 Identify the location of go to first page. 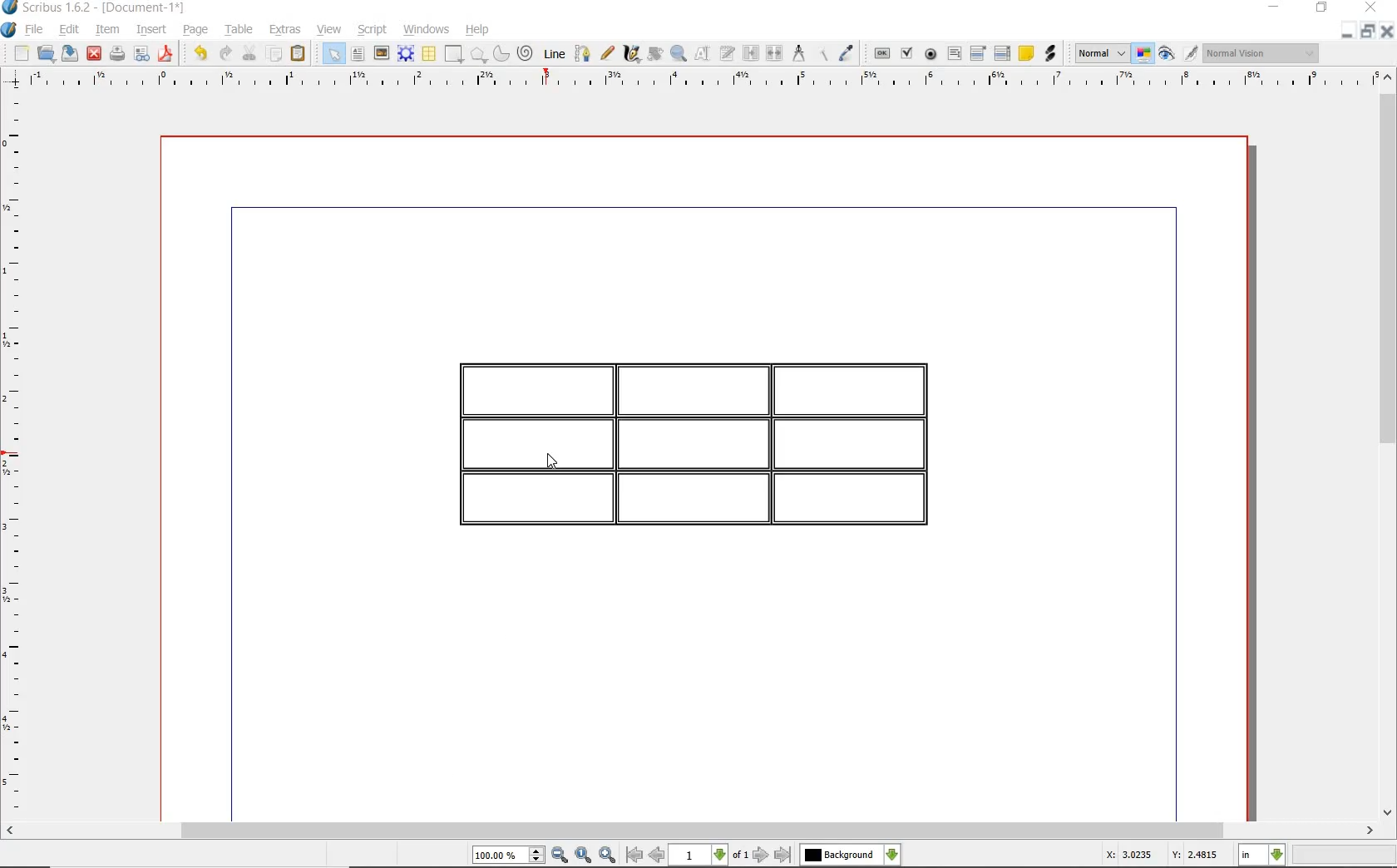
(634, 856).